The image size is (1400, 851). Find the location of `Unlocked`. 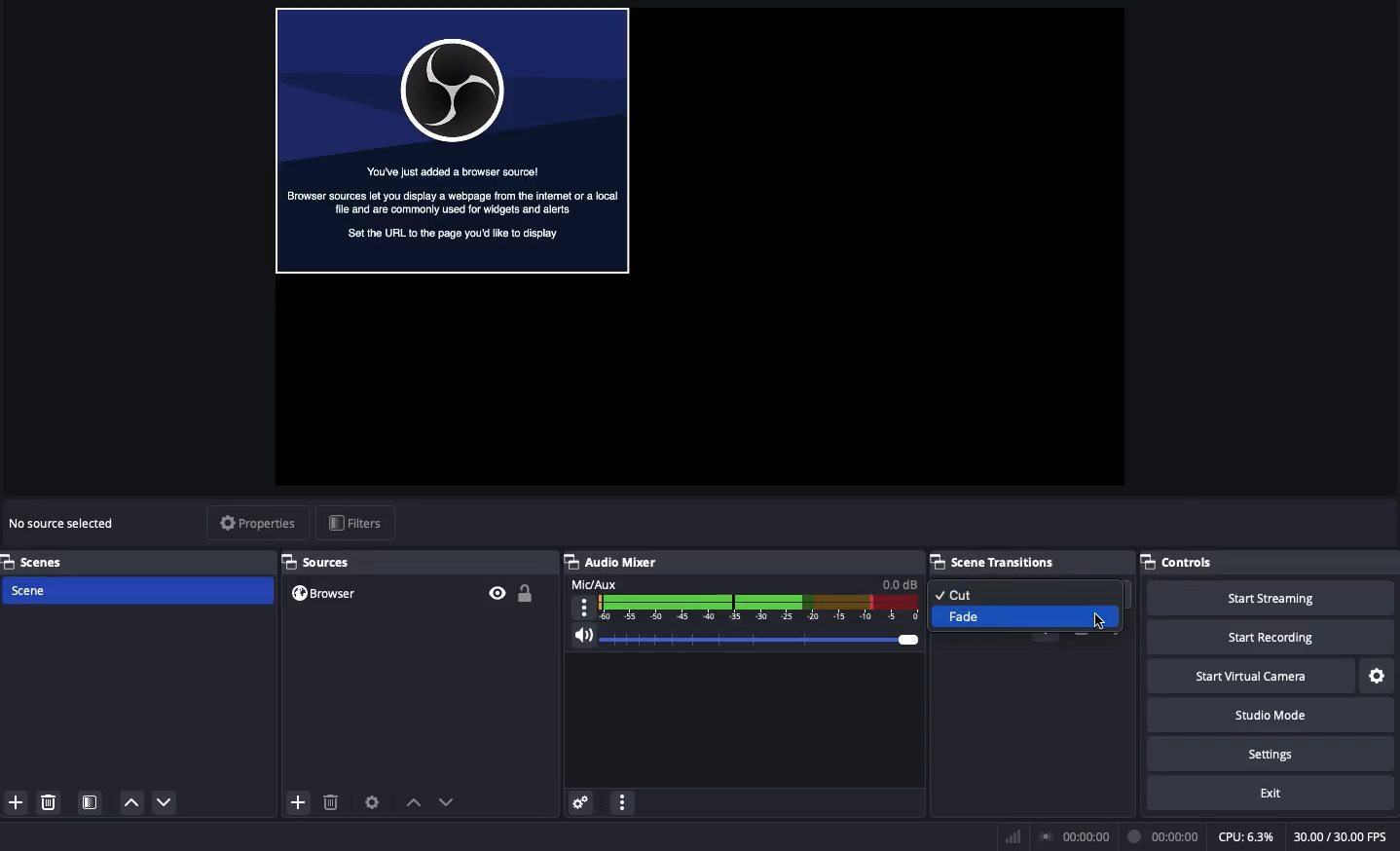

Unlocked is located at coordinates (527, 593).